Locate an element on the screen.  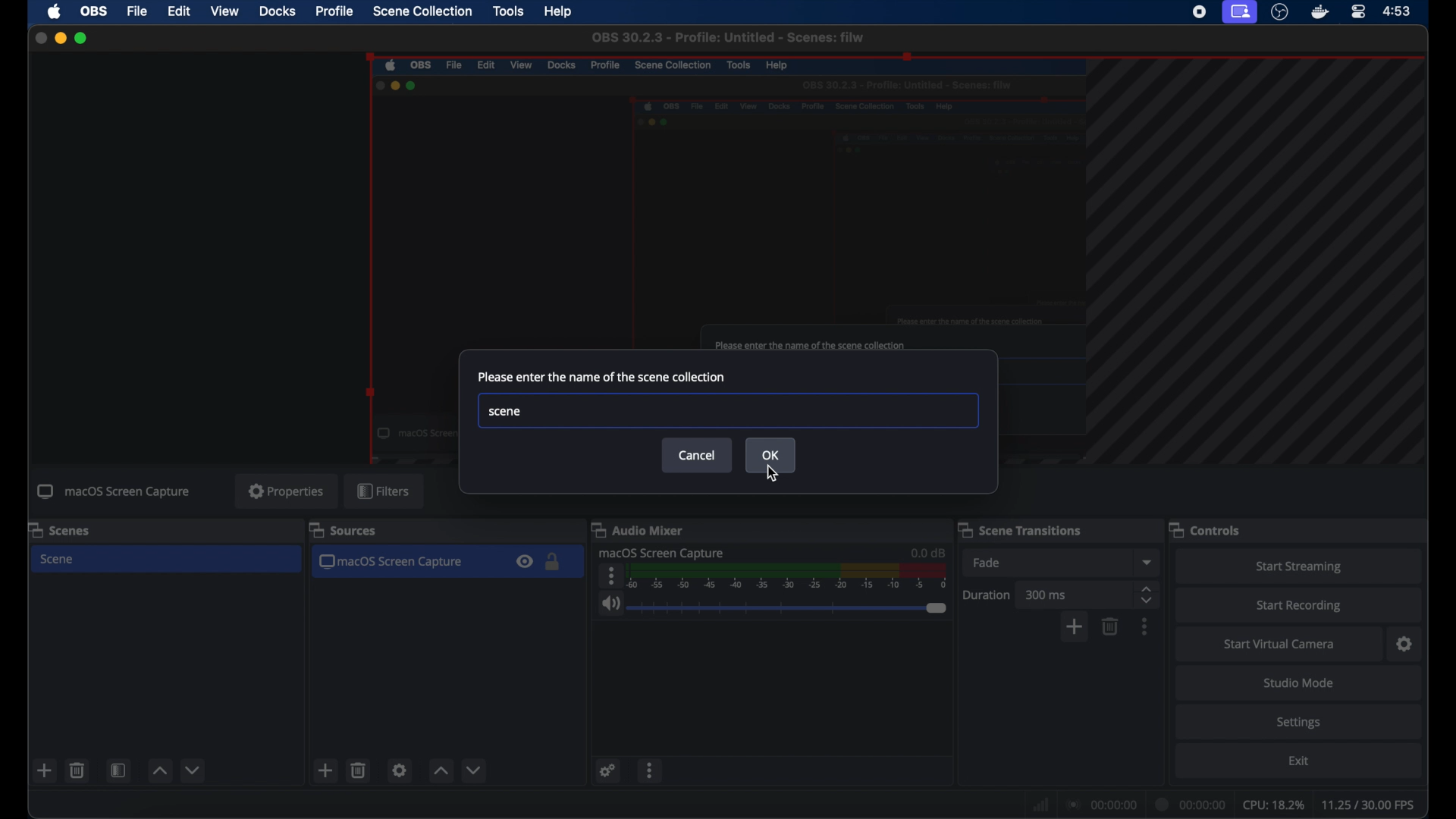
scale is located at coordinates (789, 576).